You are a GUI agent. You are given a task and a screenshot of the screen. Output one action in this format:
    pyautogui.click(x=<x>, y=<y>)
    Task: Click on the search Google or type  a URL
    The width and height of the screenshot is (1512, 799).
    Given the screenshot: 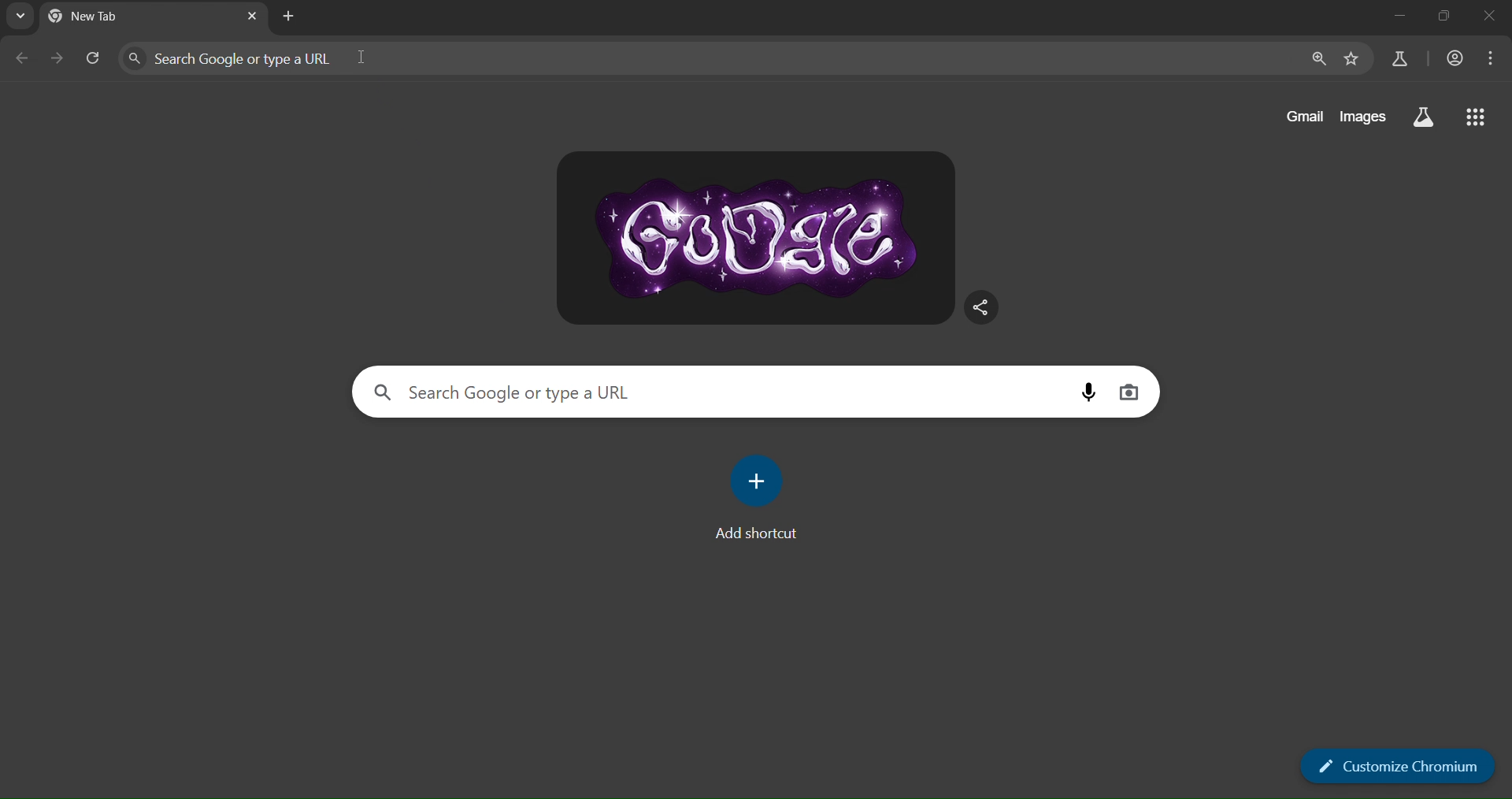 What is the action you would take?
    pyautogui.click(x=549, y=391)
    